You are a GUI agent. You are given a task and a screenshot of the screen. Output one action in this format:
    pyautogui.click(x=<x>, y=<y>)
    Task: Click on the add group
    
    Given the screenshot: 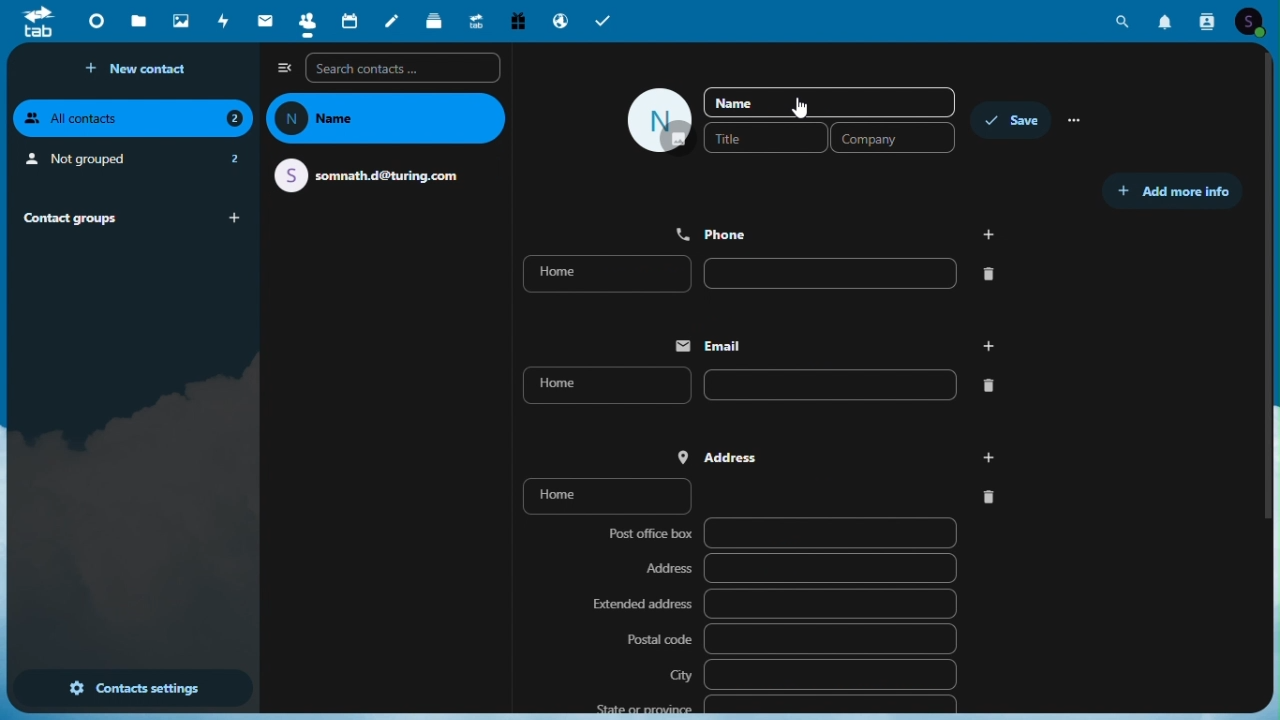 What is the action you would take?
    pyautogui.click(x=237, y=218)
    